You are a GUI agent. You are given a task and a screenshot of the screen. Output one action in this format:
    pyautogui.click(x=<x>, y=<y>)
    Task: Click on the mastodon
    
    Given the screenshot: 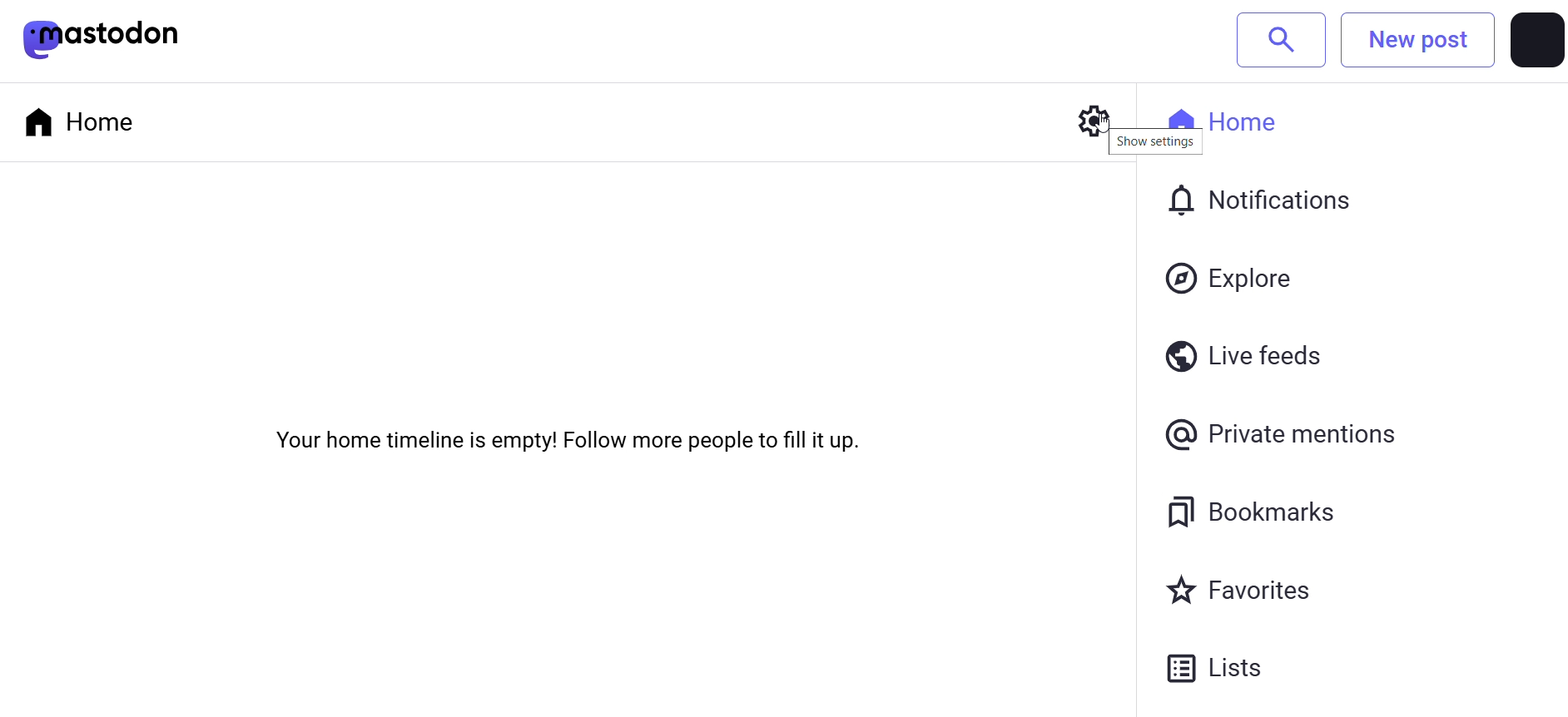 What is the action you would take?
    pyautogui.click(x=122, y=36)
    